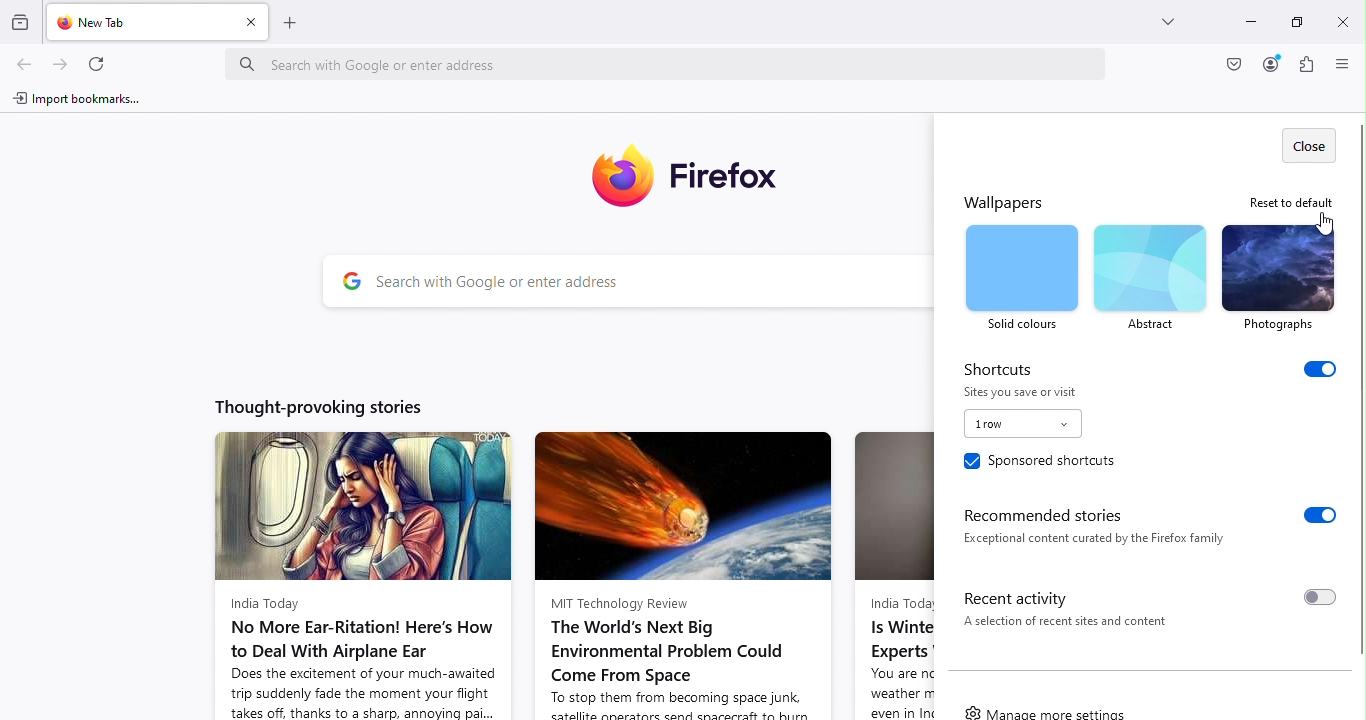 This screenshot has height=720, width=1366. What do you see at coordinates (1300, 24) in the screenshot?
I see `Maximize` at bounding box center [1300, 24].